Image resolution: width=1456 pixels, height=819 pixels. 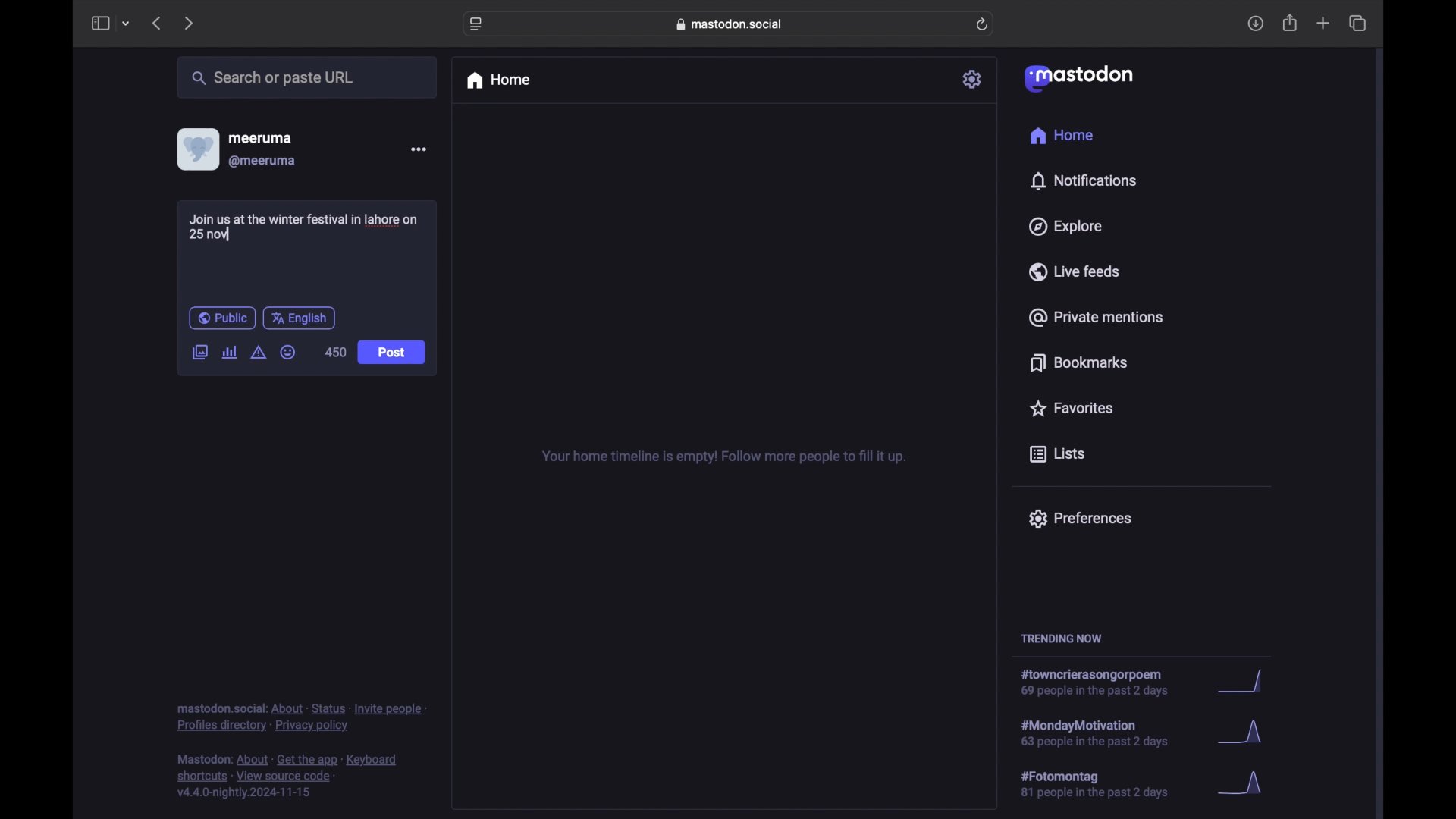 What do you see at coordinates (497, 80) in the screenshot?
I see `home` at bounding box center [497, 80].